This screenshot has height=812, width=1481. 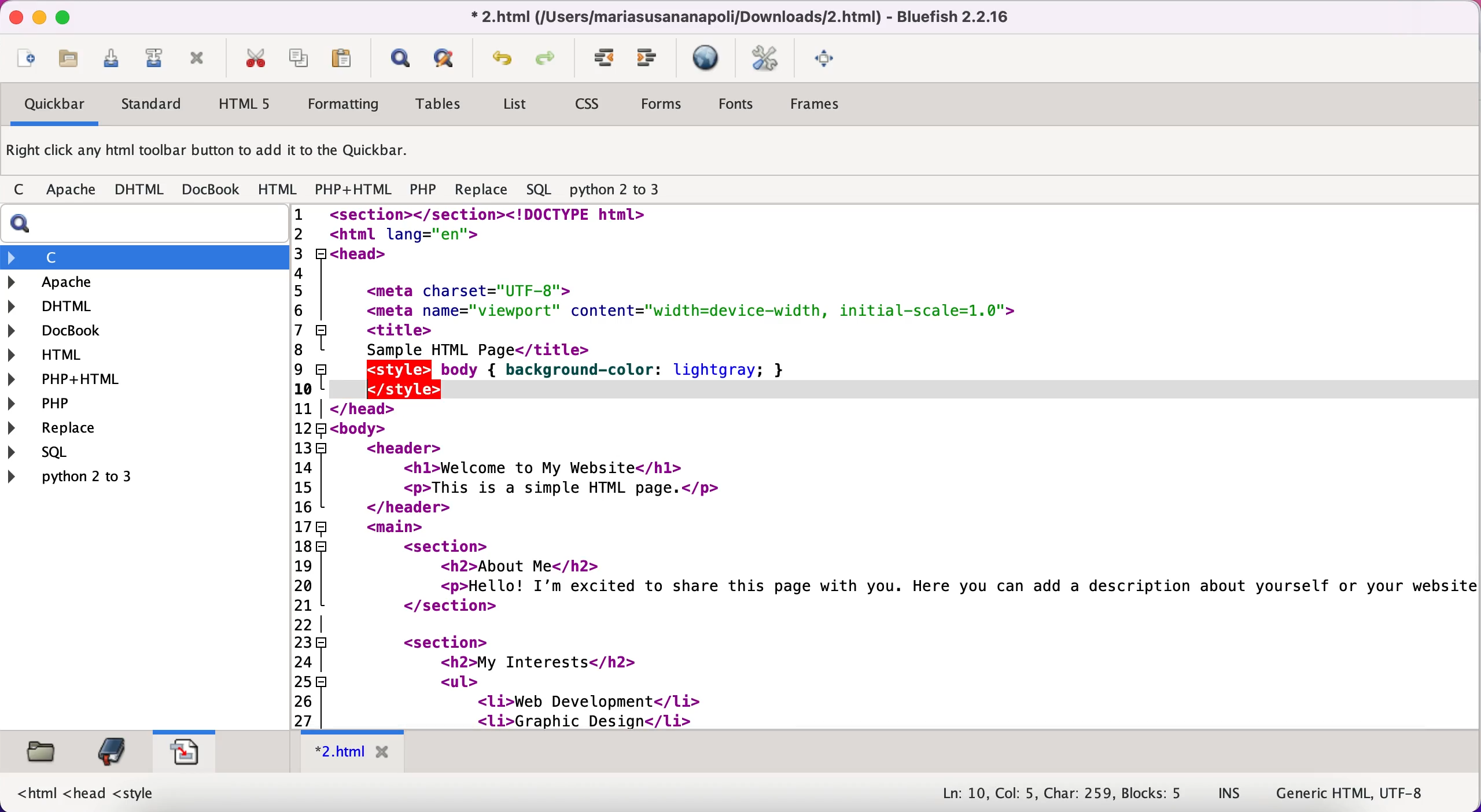 What do you see at coordinates (115, 282) in the screenshot?
I see `apache` at bounding box center [115, 282].